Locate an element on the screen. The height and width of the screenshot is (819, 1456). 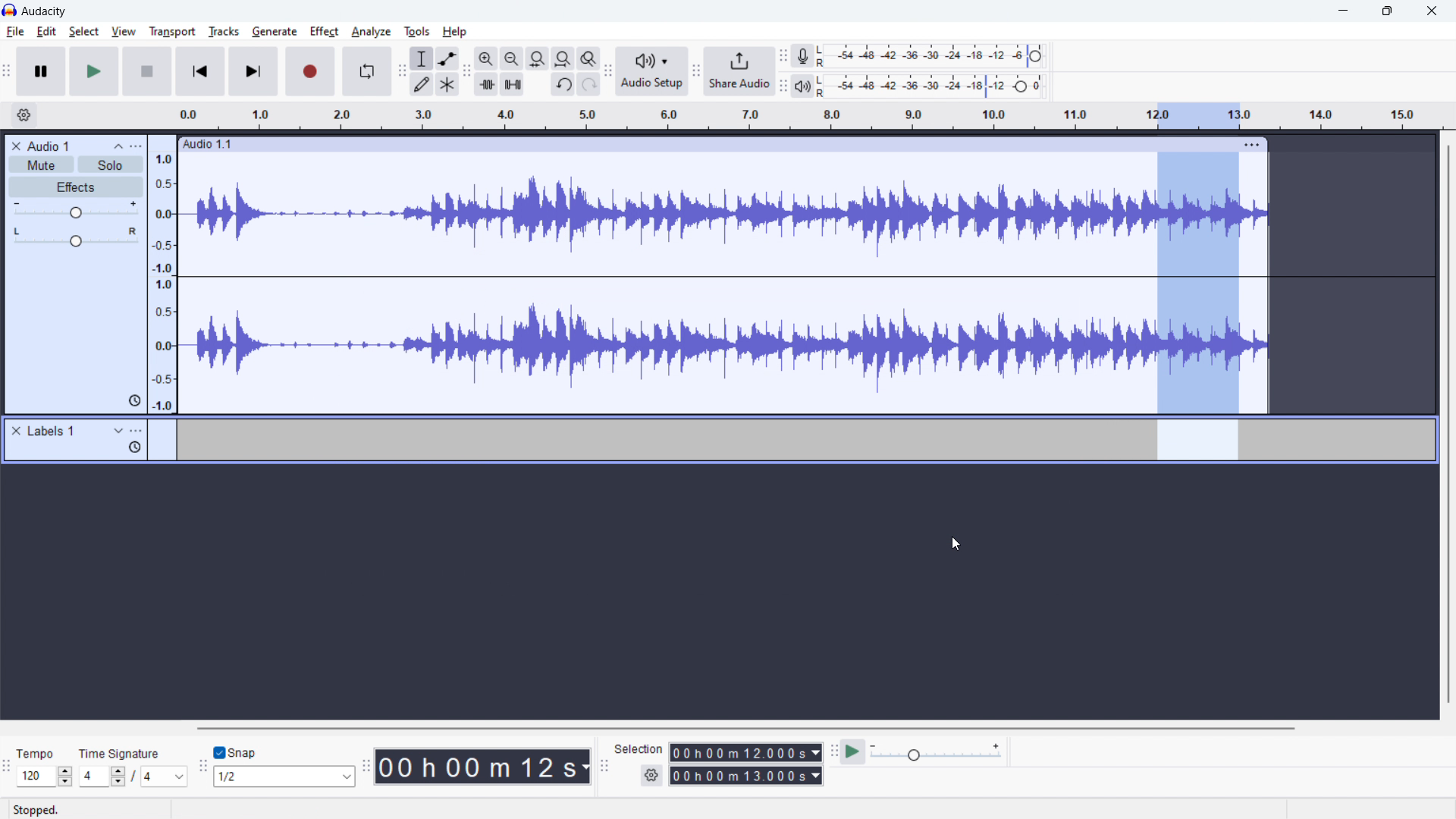
playback meter toolbar is located at coordinates (783, 86).